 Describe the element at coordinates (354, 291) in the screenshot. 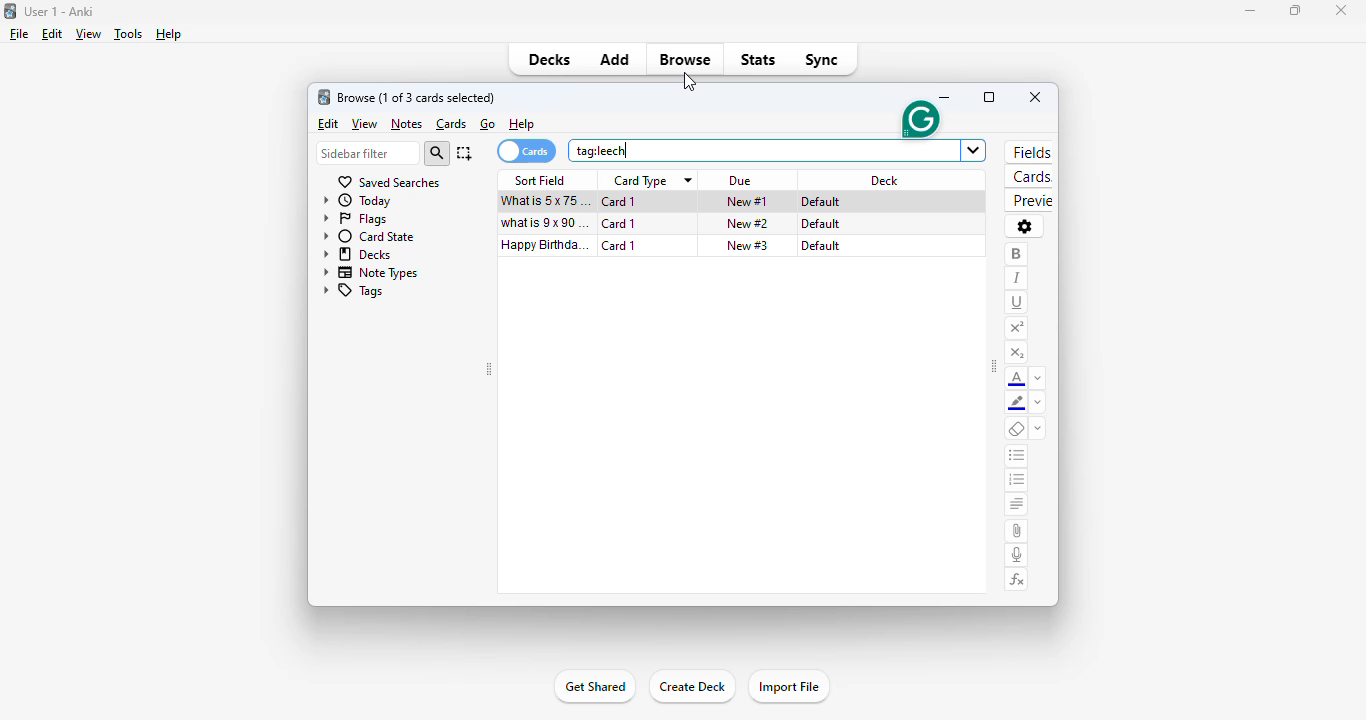

I see `tags` at that location.